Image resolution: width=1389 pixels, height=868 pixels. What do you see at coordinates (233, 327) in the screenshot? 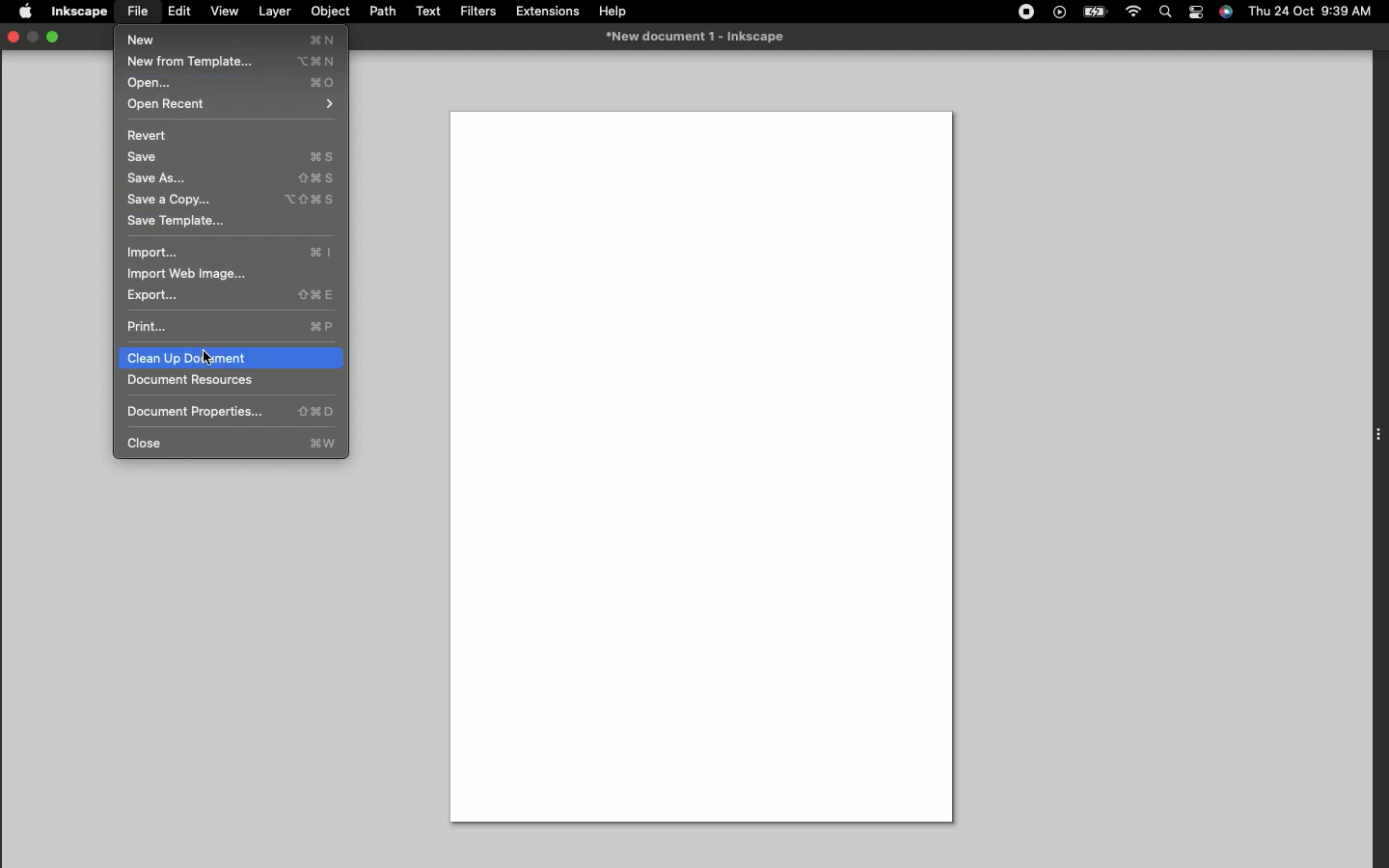
I see `Print` at bounding box center [233, 327].